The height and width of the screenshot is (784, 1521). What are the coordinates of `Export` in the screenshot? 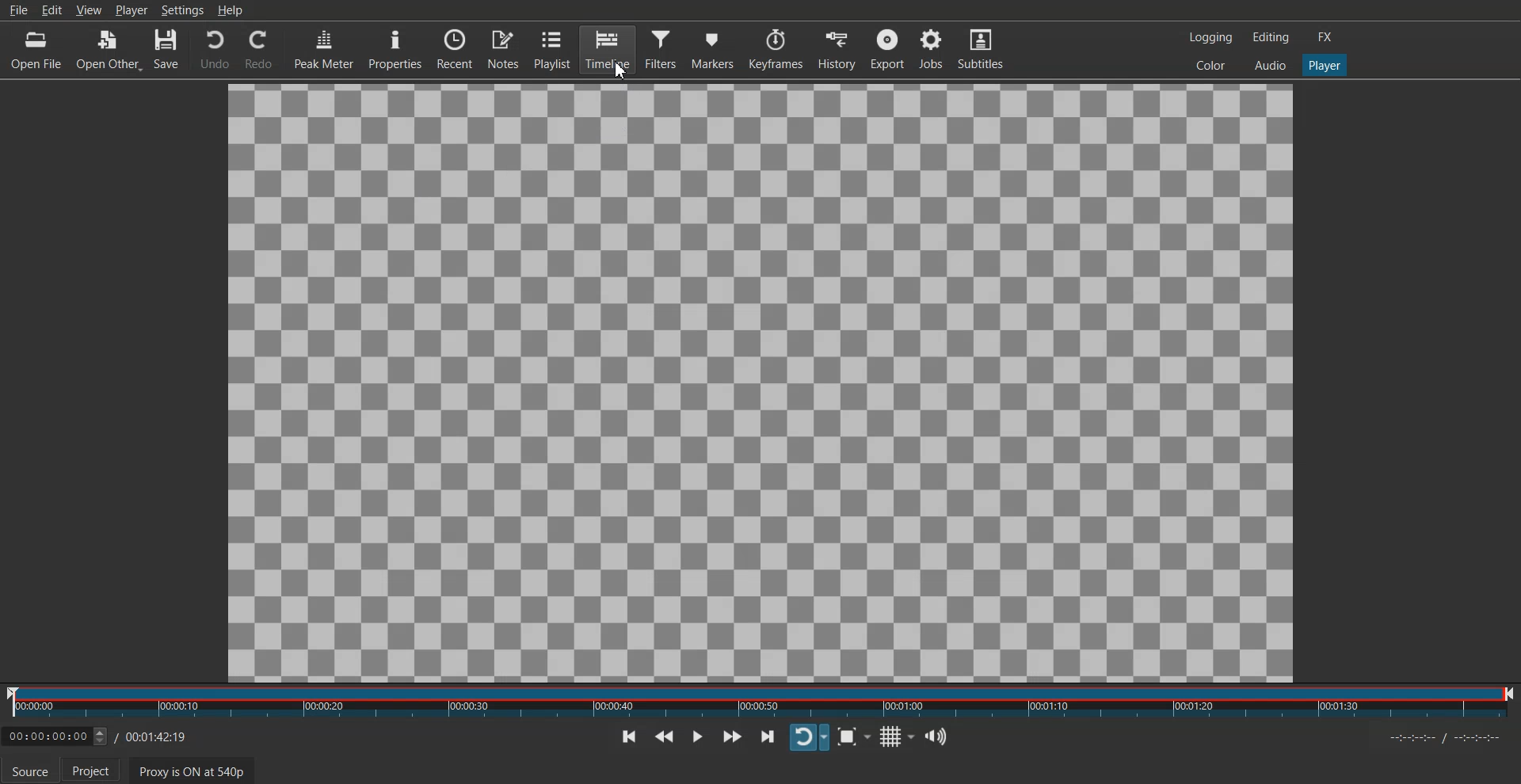 It's located at (887, 48).